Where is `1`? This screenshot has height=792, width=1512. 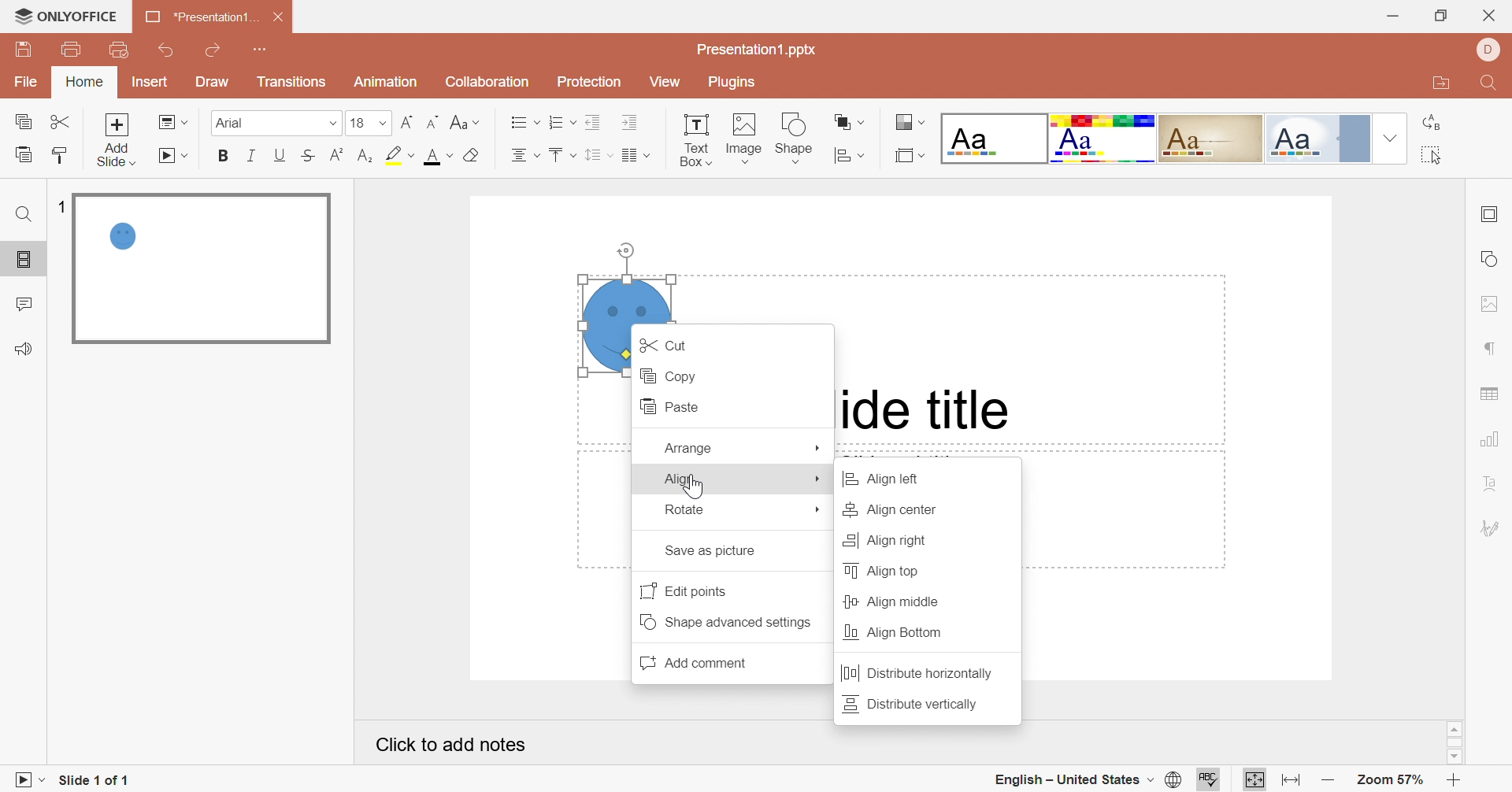
1 is located at coordinates (61, 204).